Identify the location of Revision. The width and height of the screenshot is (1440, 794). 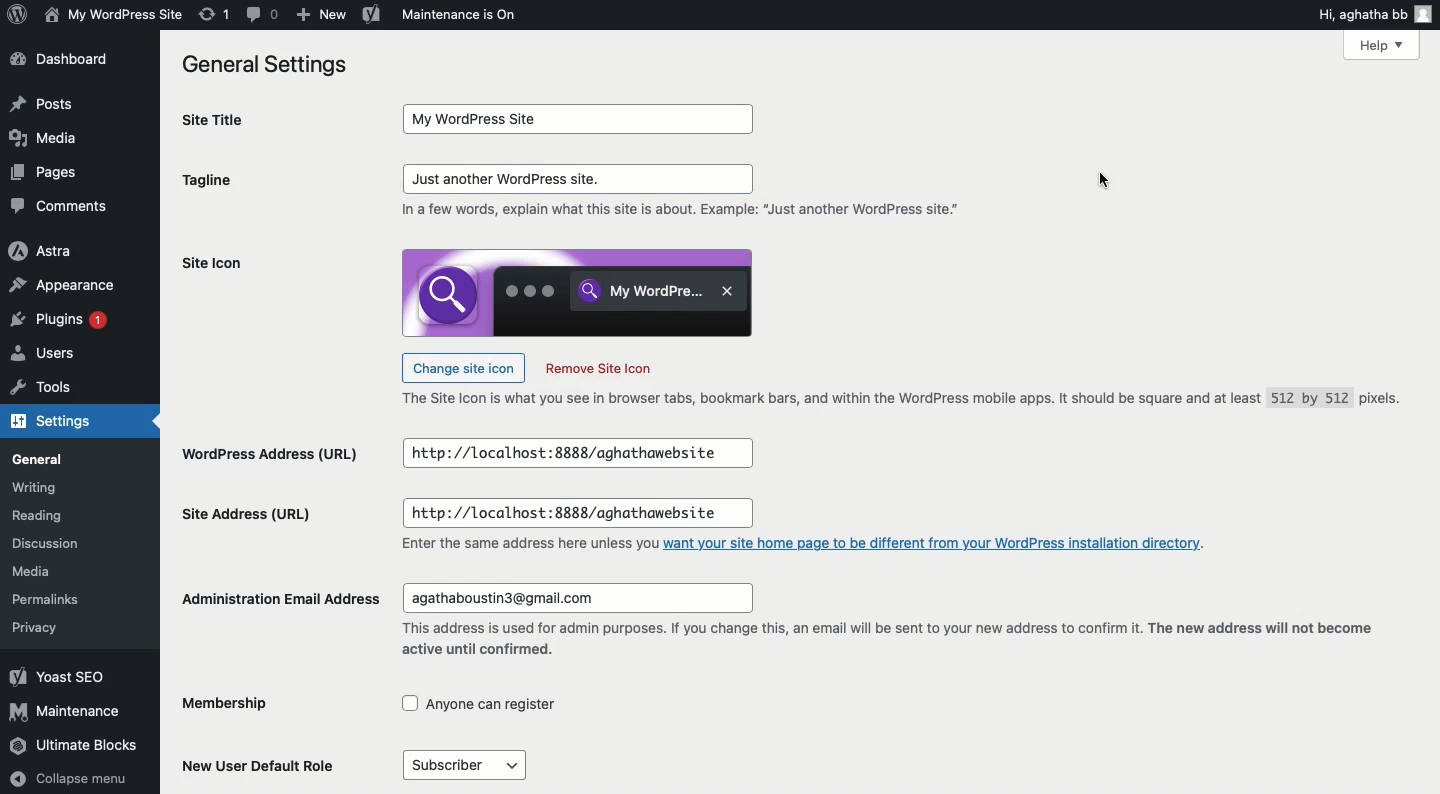
(215, 14).